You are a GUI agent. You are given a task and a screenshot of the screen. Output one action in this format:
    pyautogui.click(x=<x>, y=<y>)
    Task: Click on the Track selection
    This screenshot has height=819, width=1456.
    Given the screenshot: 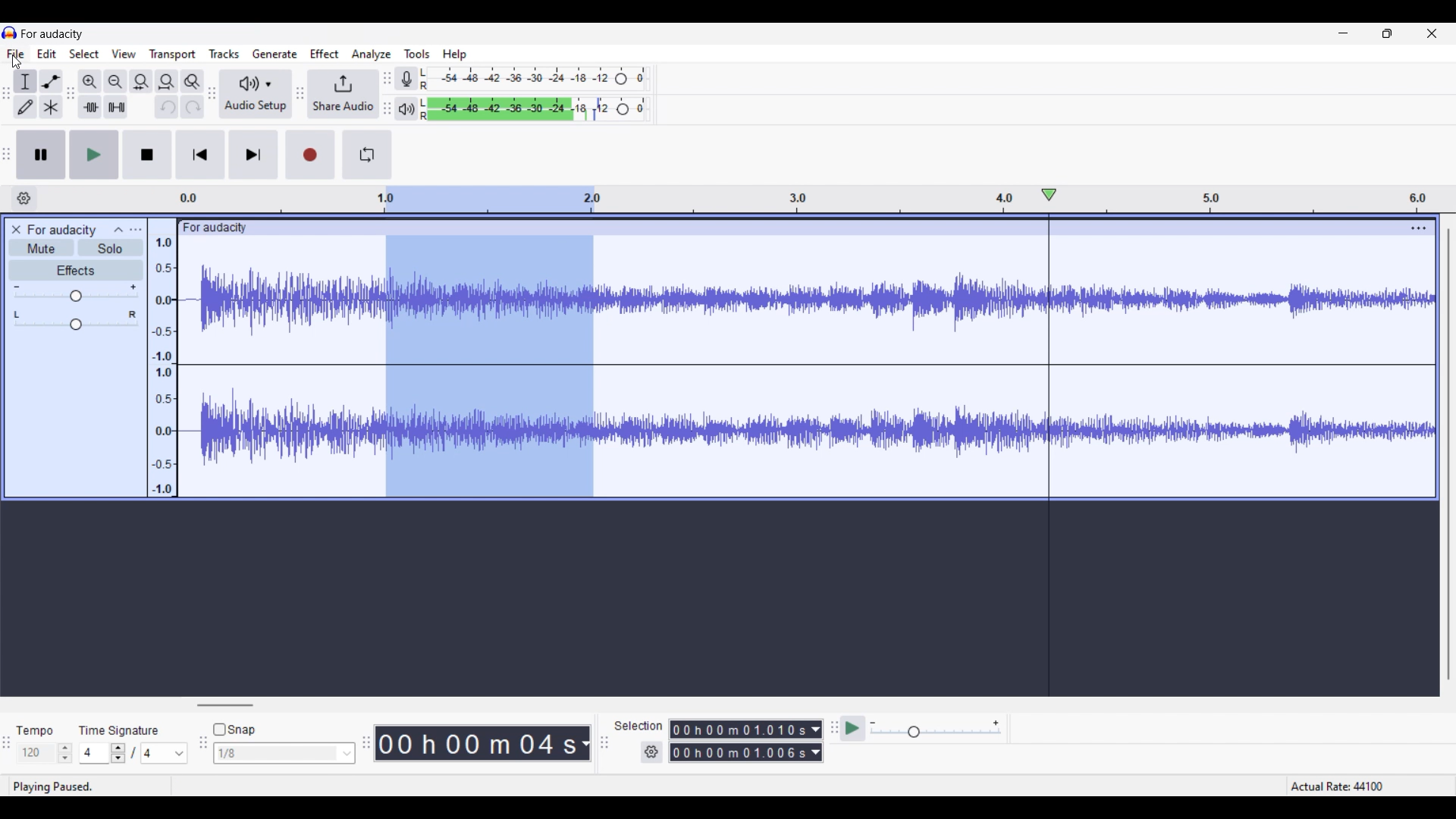 What is the action you would take?
    pyautogui.click(x=493, y=344)
    